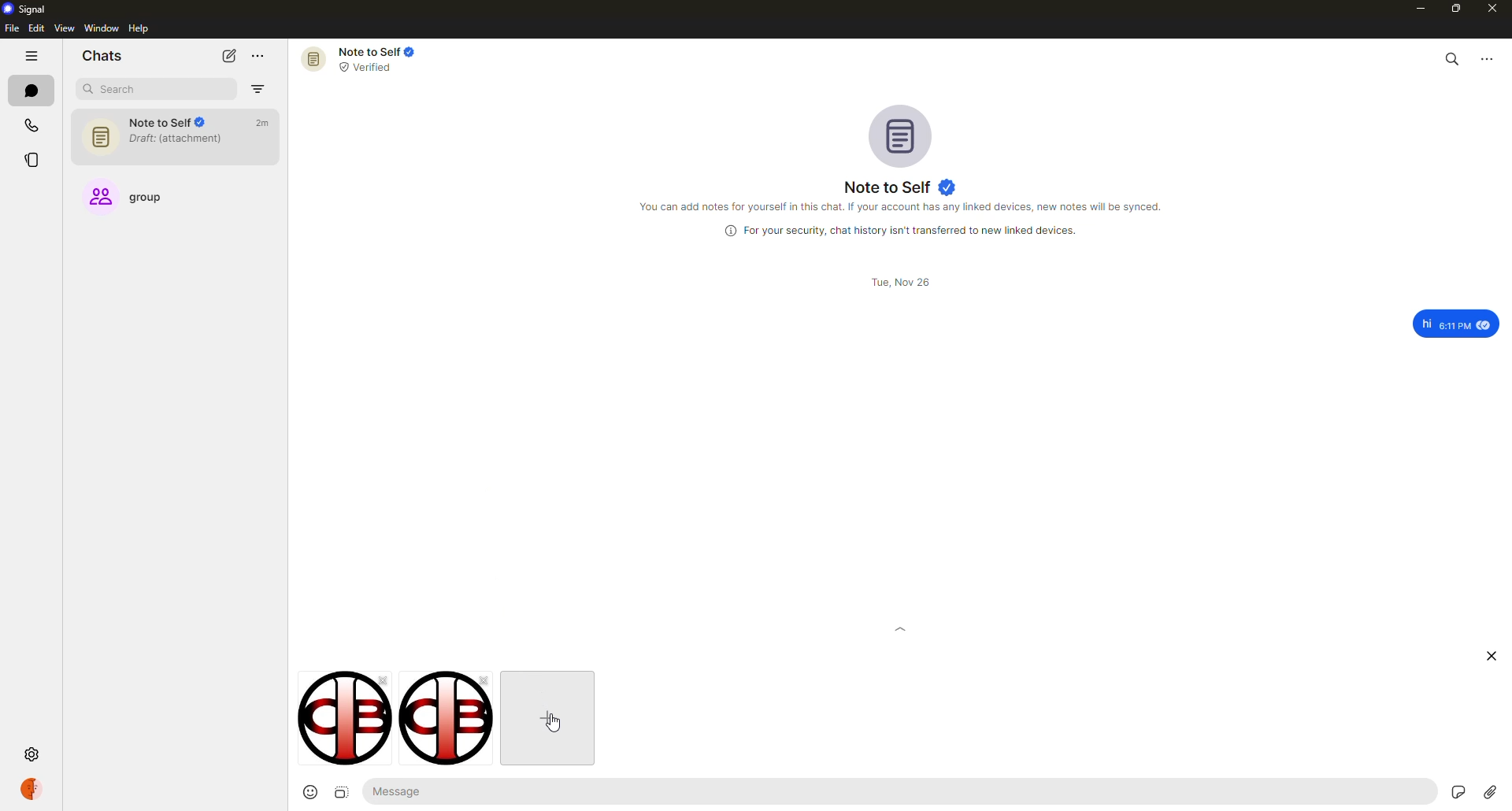 This screenshot has width=1512, height=811. What do you see at coordinates (1495, 9) in the screenshot?
I see `close` at bounding box center [1495, 9].